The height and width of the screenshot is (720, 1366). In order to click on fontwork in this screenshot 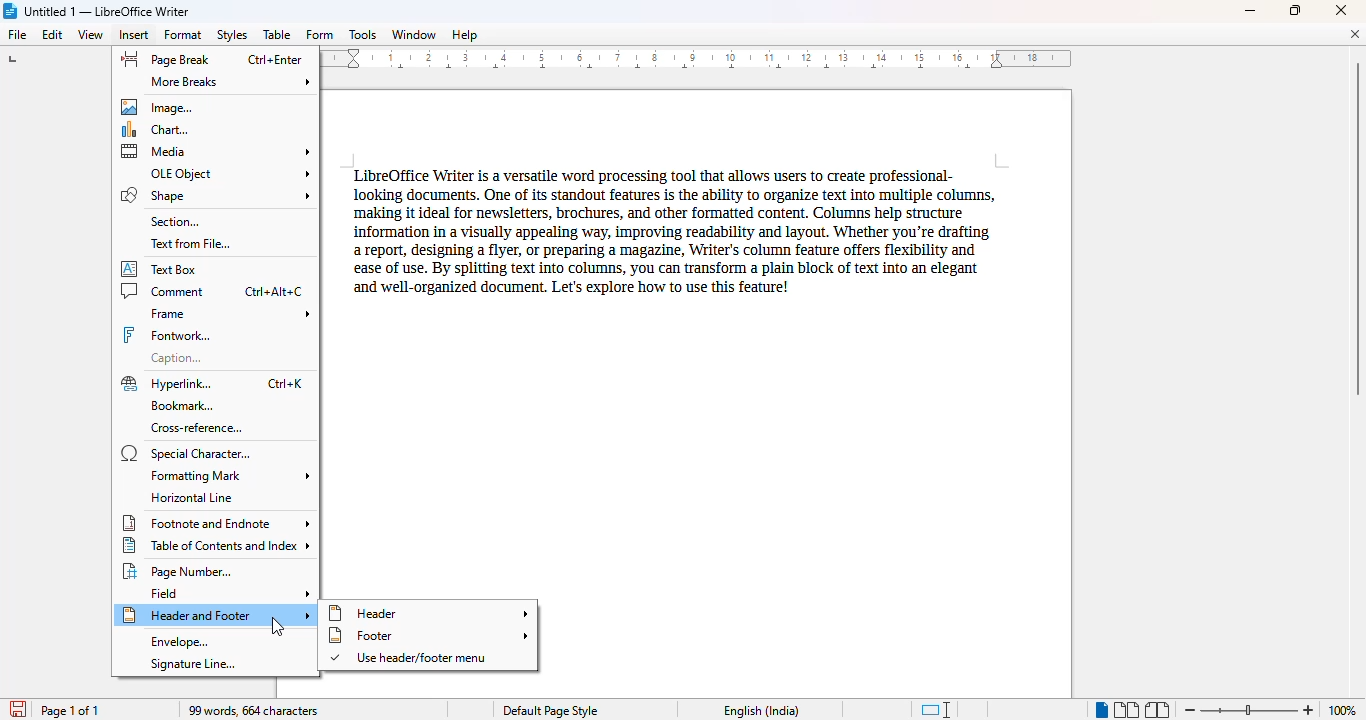, I will do `click(167, 335)`.